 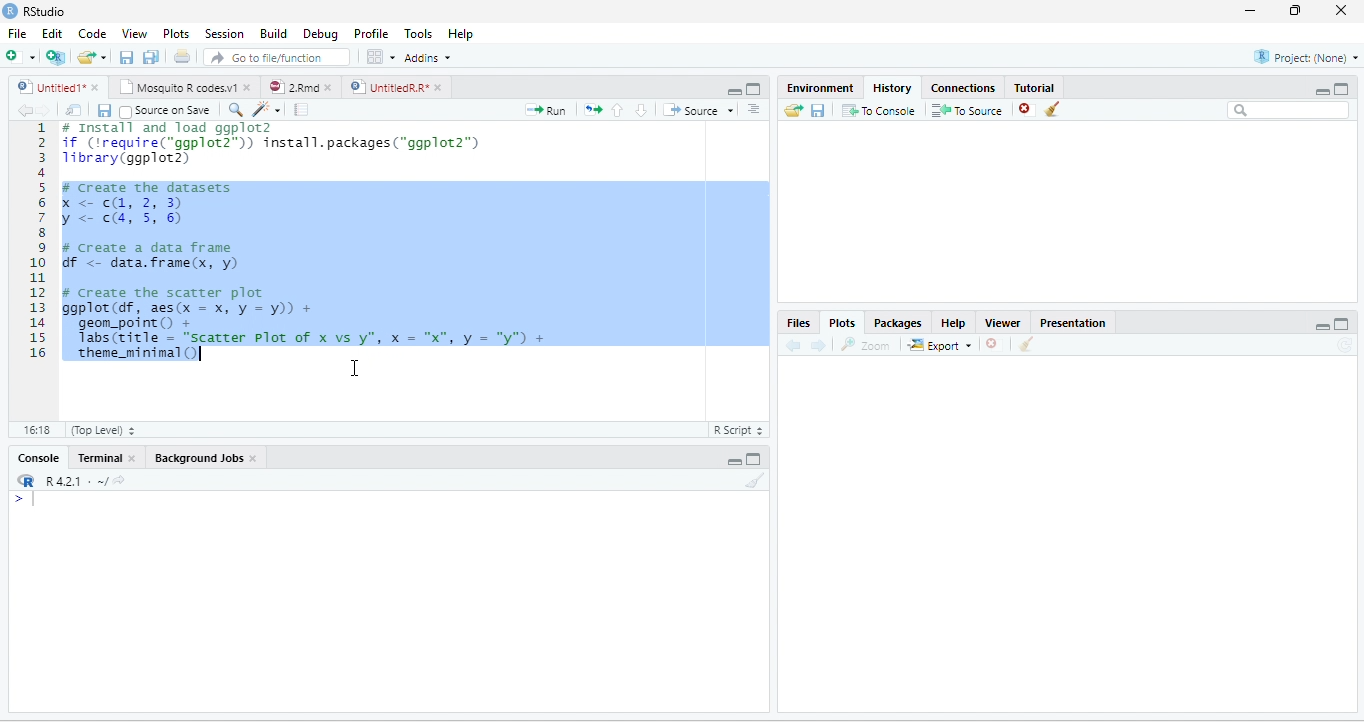 I want to click on Open an existing file, so click(x=86, y=57).